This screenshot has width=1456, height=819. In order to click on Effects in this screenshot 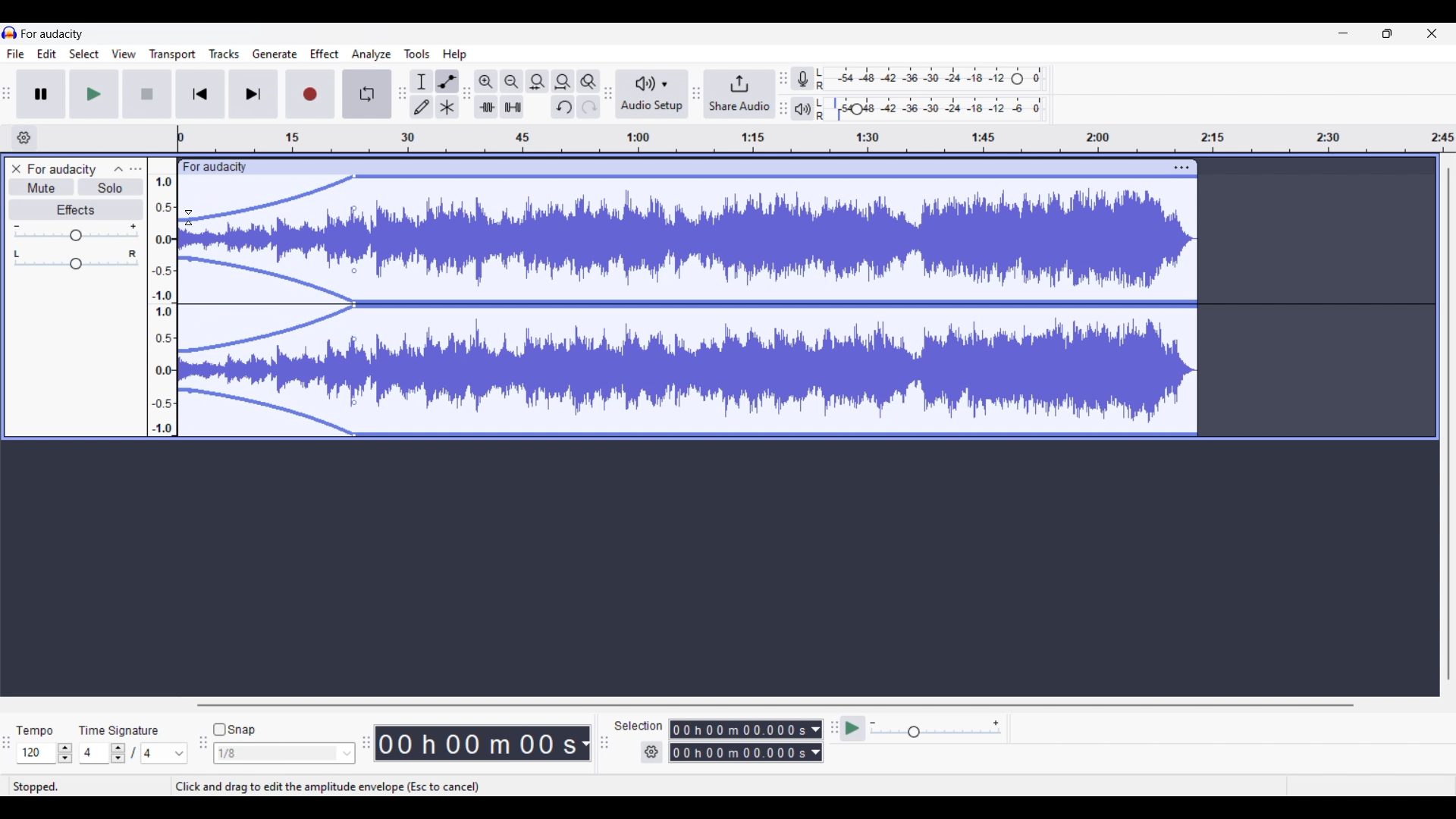, I will do `click(76, 209)`.